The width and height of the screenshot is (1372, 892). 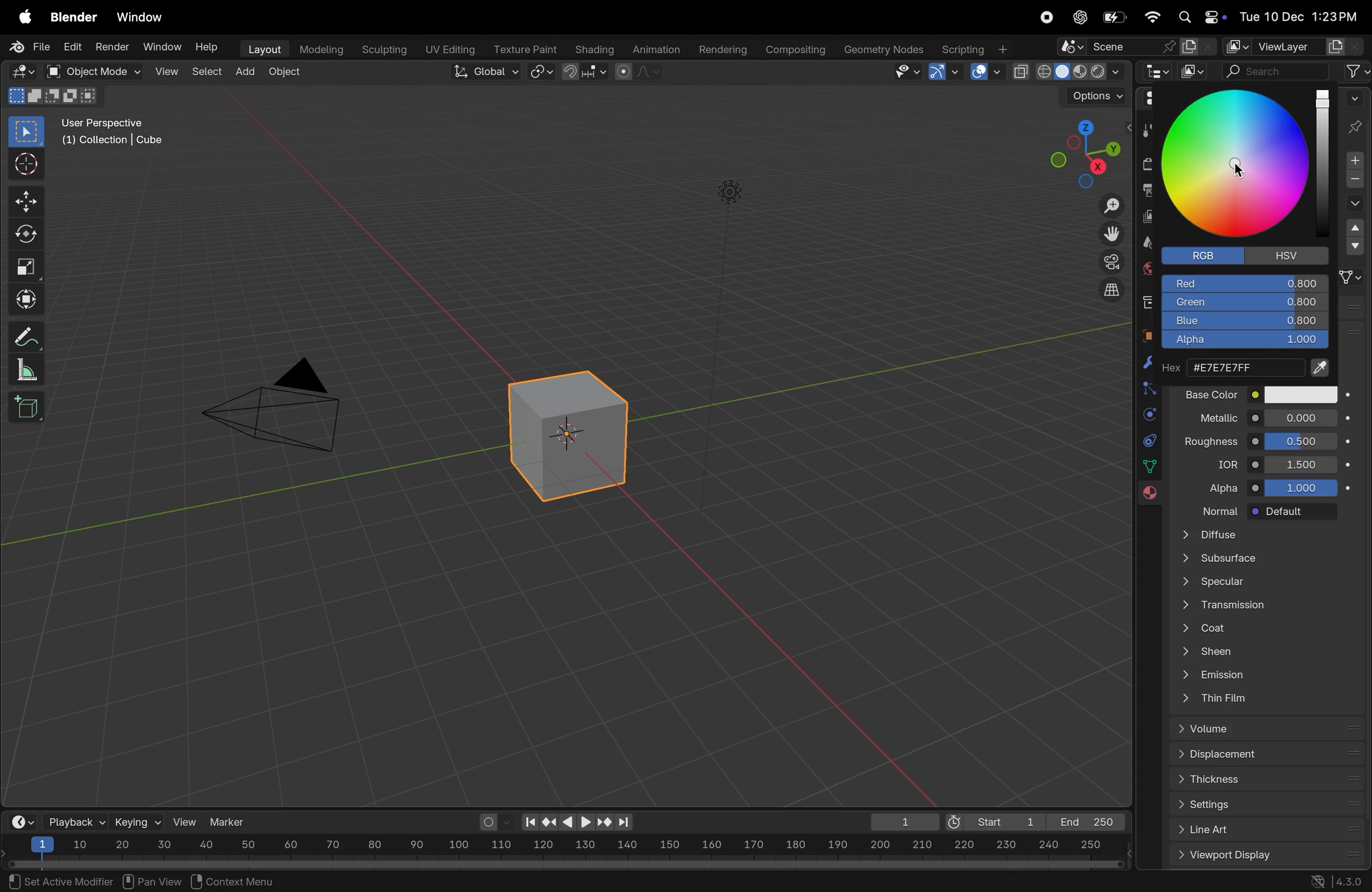 I want to click on bound, so click(x=1146, y=387).